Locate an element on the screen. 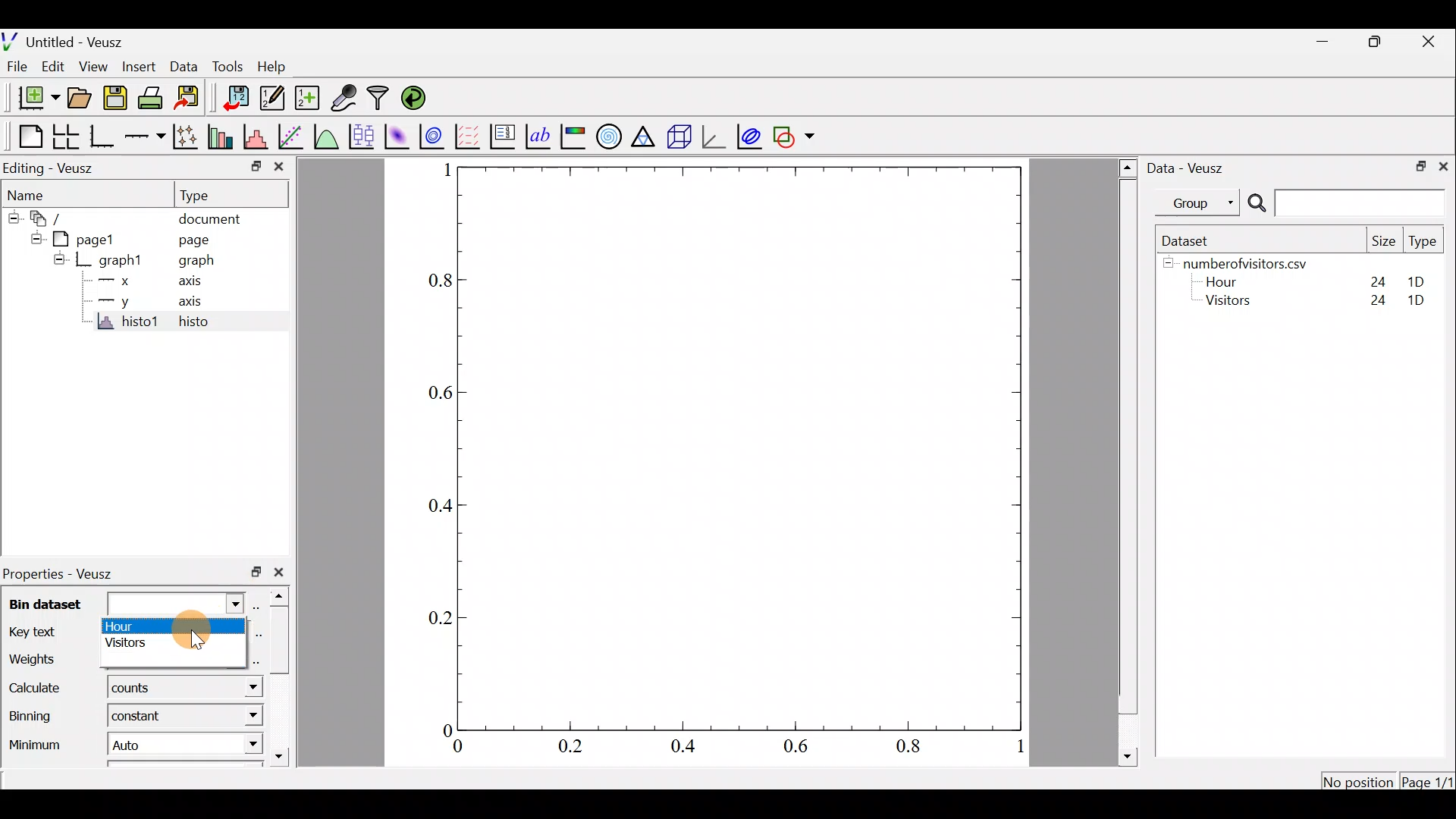  histogram of a dataset is located at coordinates (256, 133).